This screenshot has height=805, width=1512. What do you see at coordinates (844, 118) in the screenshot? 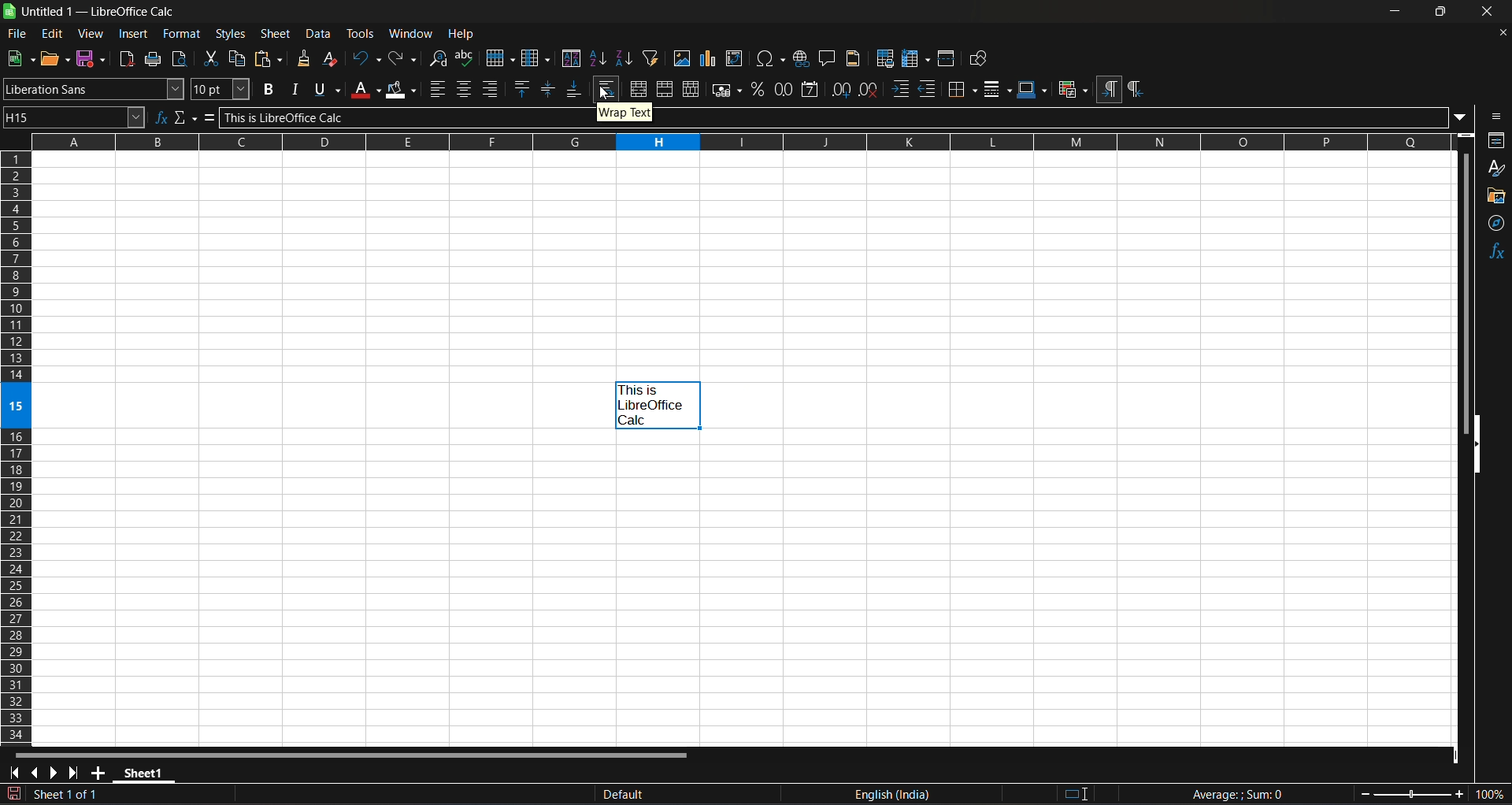
I see `input line` at bounding box center [844, 118].